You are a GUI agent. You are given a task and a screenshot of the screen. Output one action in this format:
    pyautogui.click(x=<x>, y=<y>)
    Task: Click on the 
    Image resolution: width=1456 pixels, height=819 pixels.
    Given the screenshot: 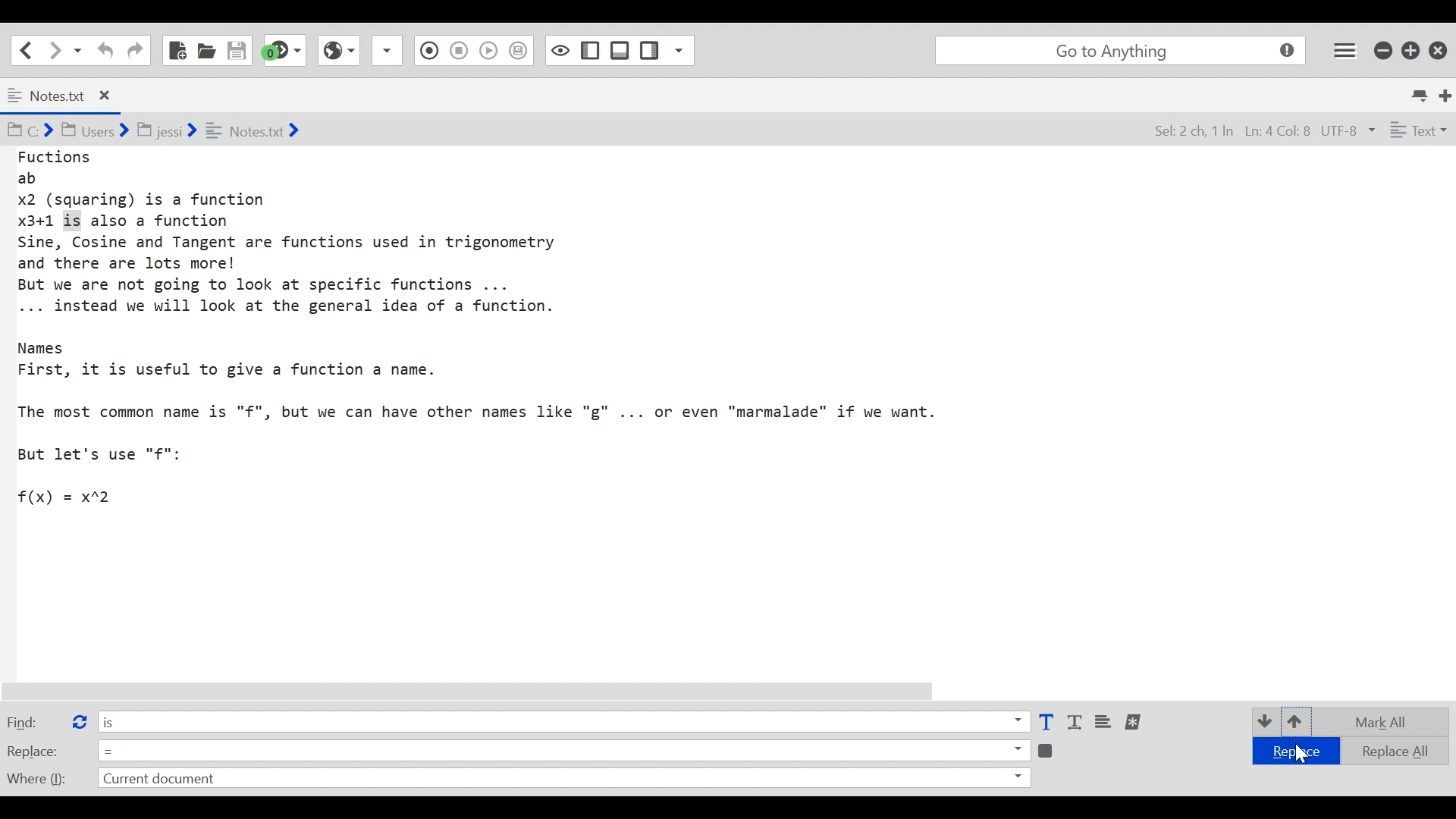 What is the action you would take?
    pyautogui.click(x=135, y=51)
    